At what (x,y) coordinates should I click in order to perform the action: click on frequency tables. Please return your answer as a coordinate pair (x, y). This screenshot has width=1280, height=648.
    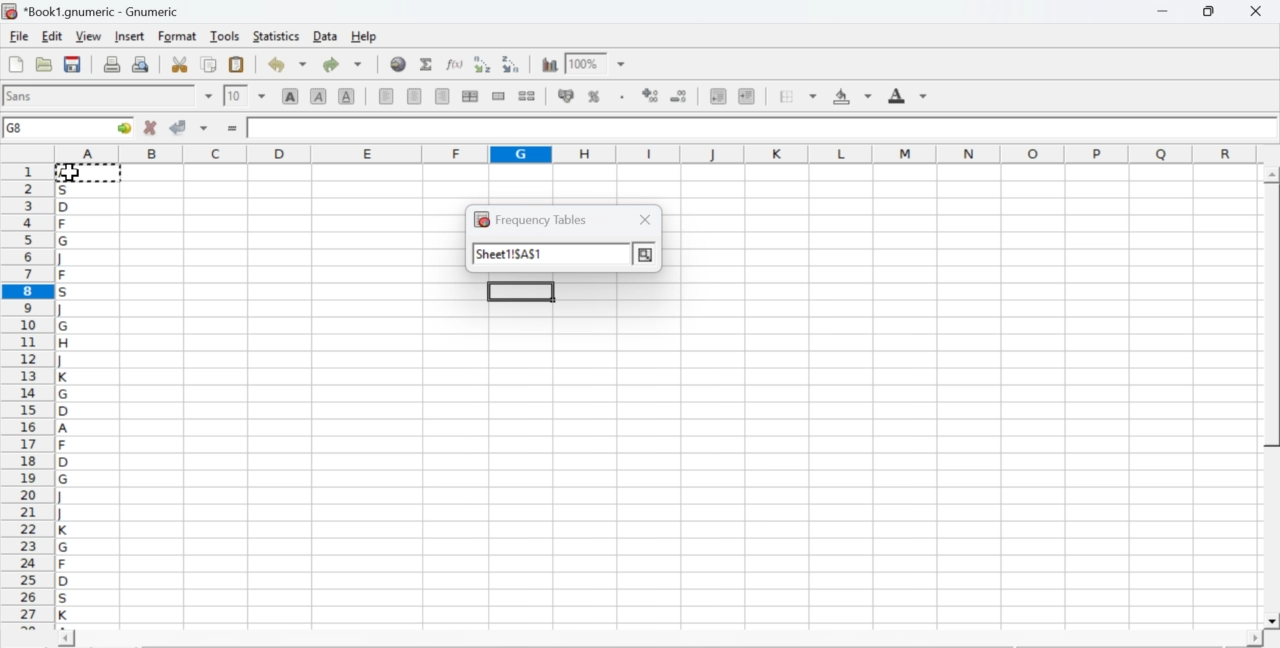
    Looking at the image, I should click on (530, 219).